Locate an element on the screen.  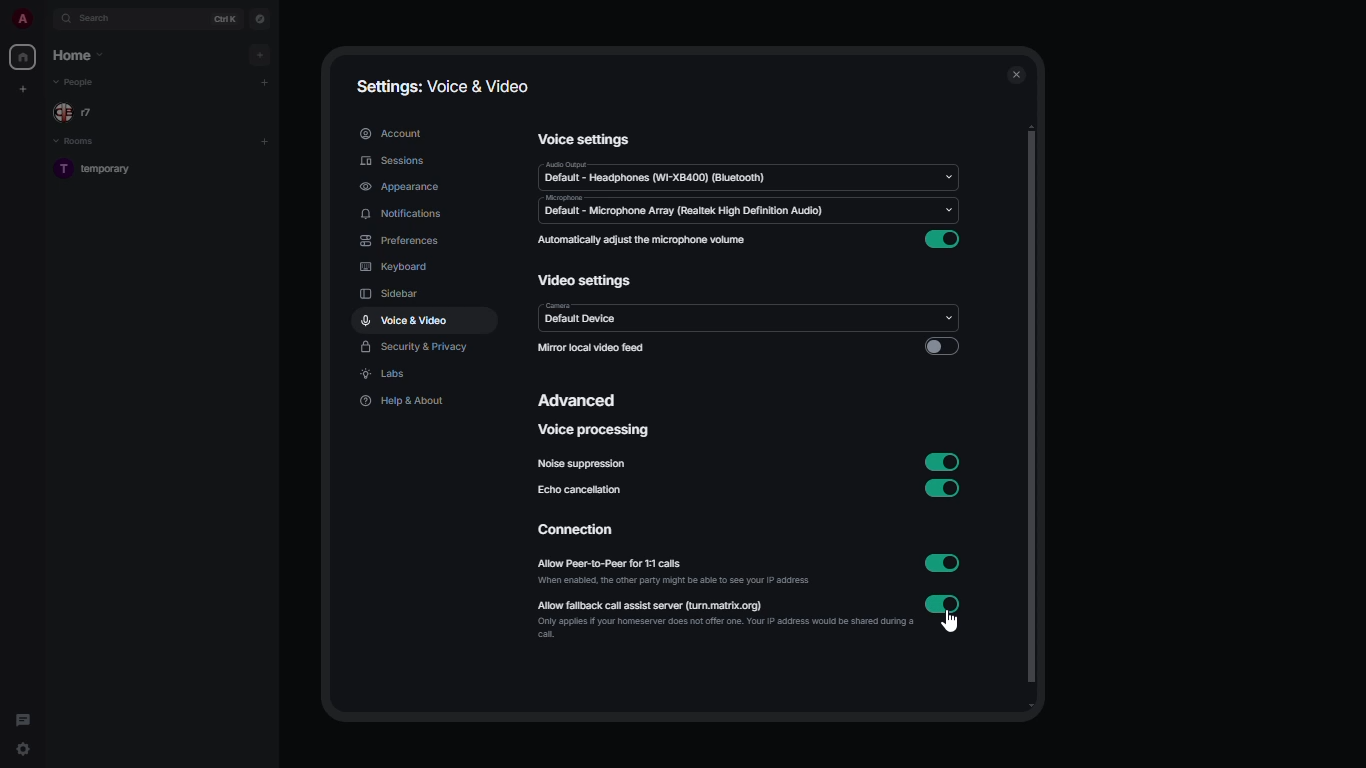
add is located at coordinates (265, 80).